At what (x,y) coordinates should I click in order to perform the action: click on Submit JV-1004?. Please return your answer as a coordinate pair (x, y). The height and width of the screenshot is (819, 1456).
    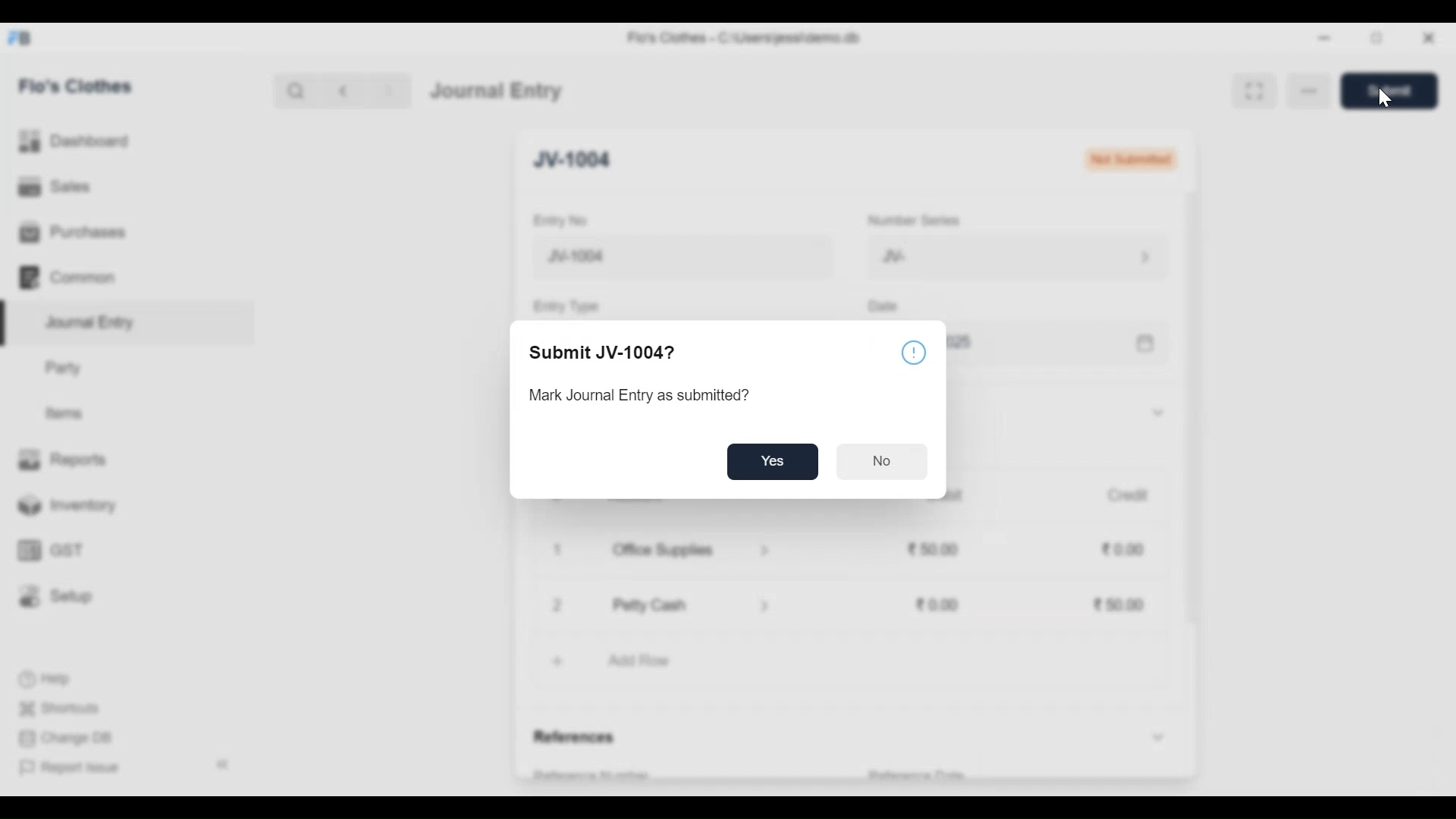
    Looking at the image, I should click on (605, 353).